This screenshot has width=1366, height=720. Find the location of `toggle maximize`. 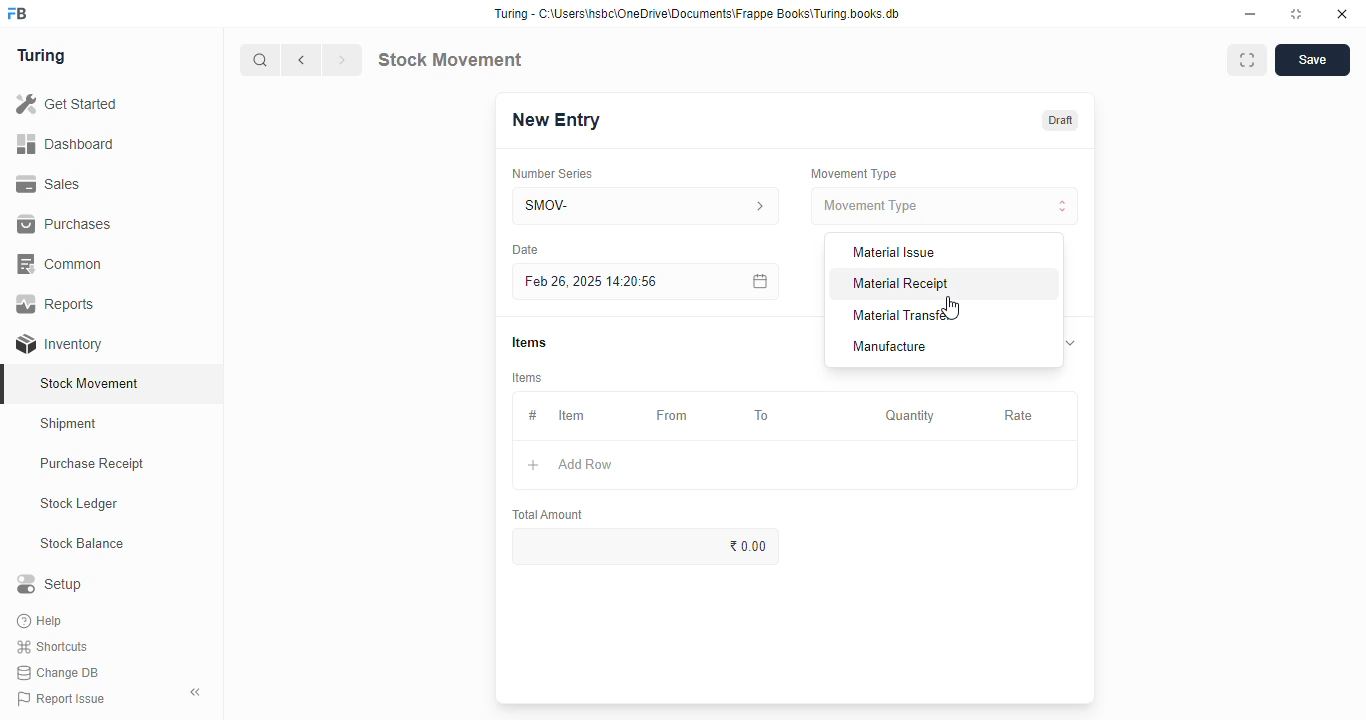

toggle maximize is located at coordinates (1295, 14).